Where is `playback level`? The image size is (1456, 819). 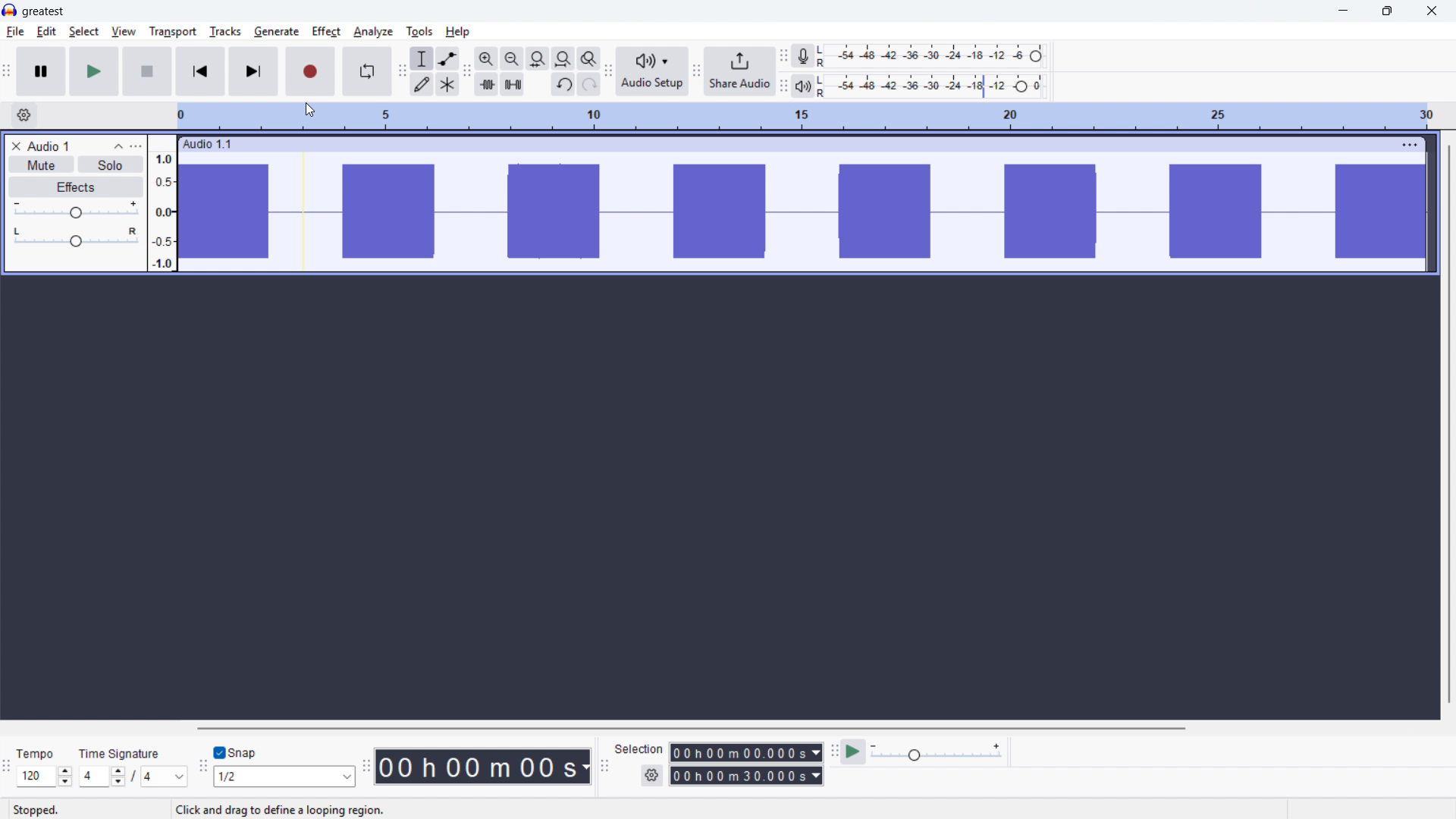 playback level is located at coordinates (935, 86).